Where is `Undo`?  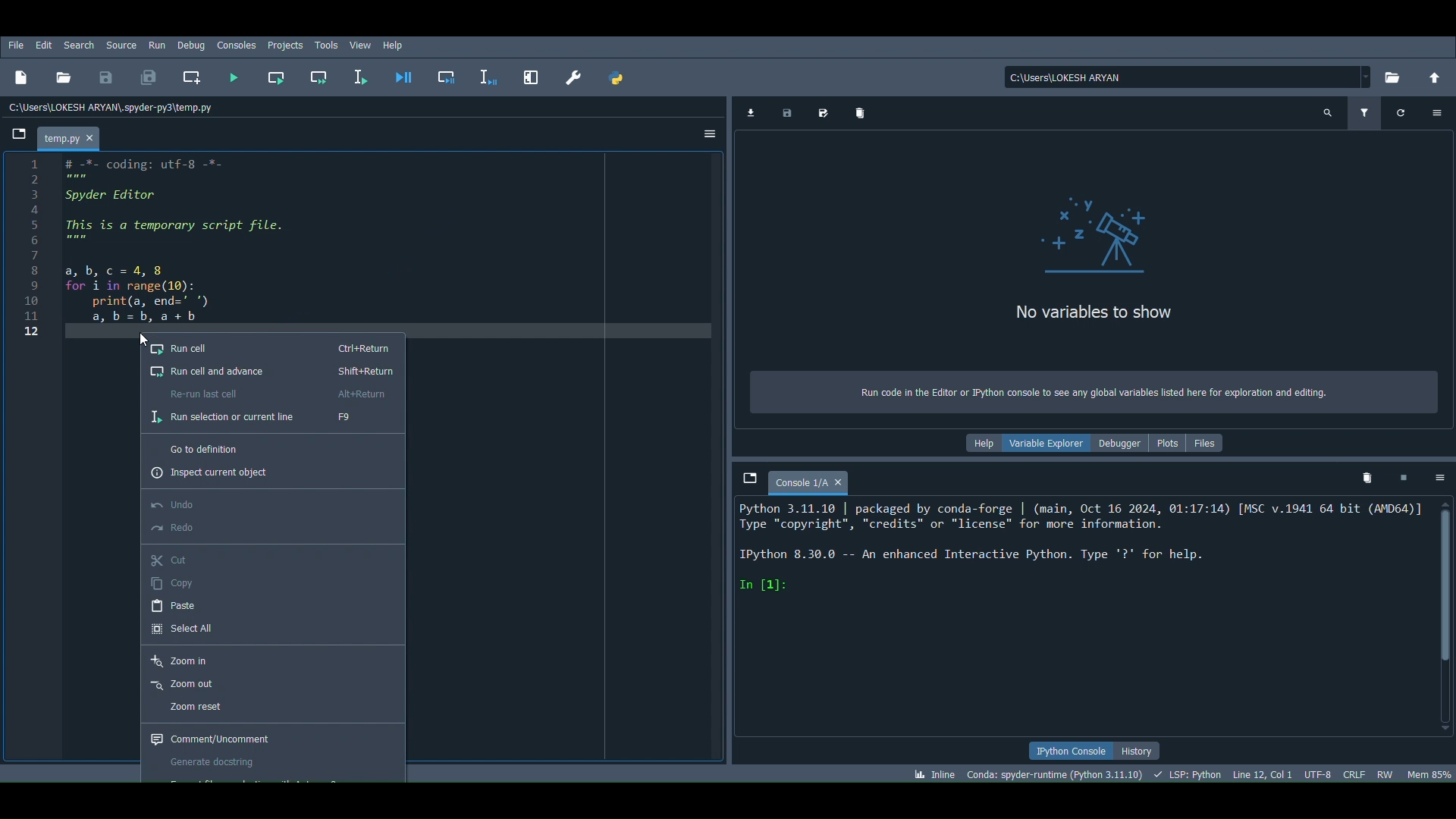
Undo is located at coordinates (273, 500).